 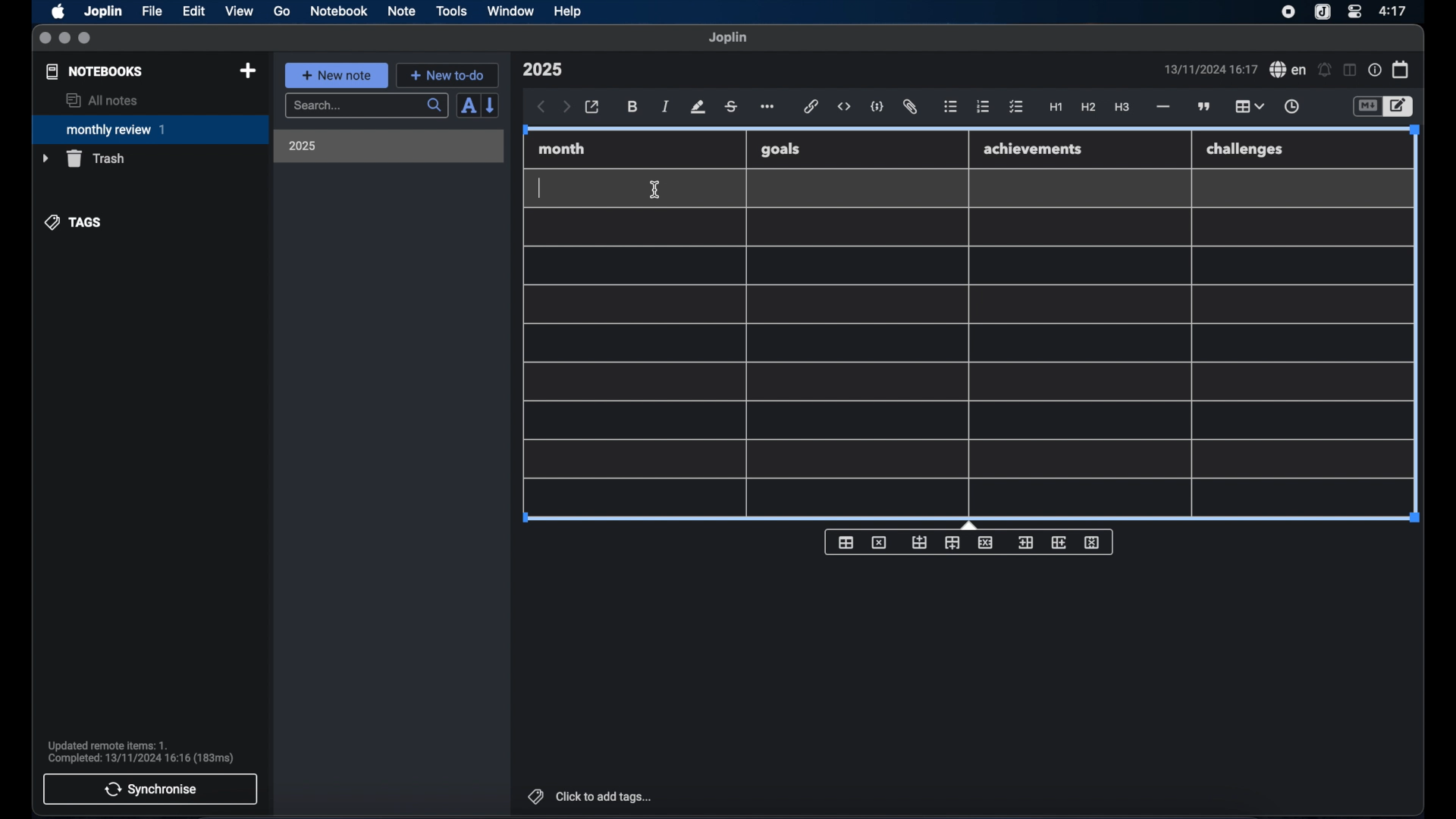 I want to click on time, so click(x=1395, y=11).